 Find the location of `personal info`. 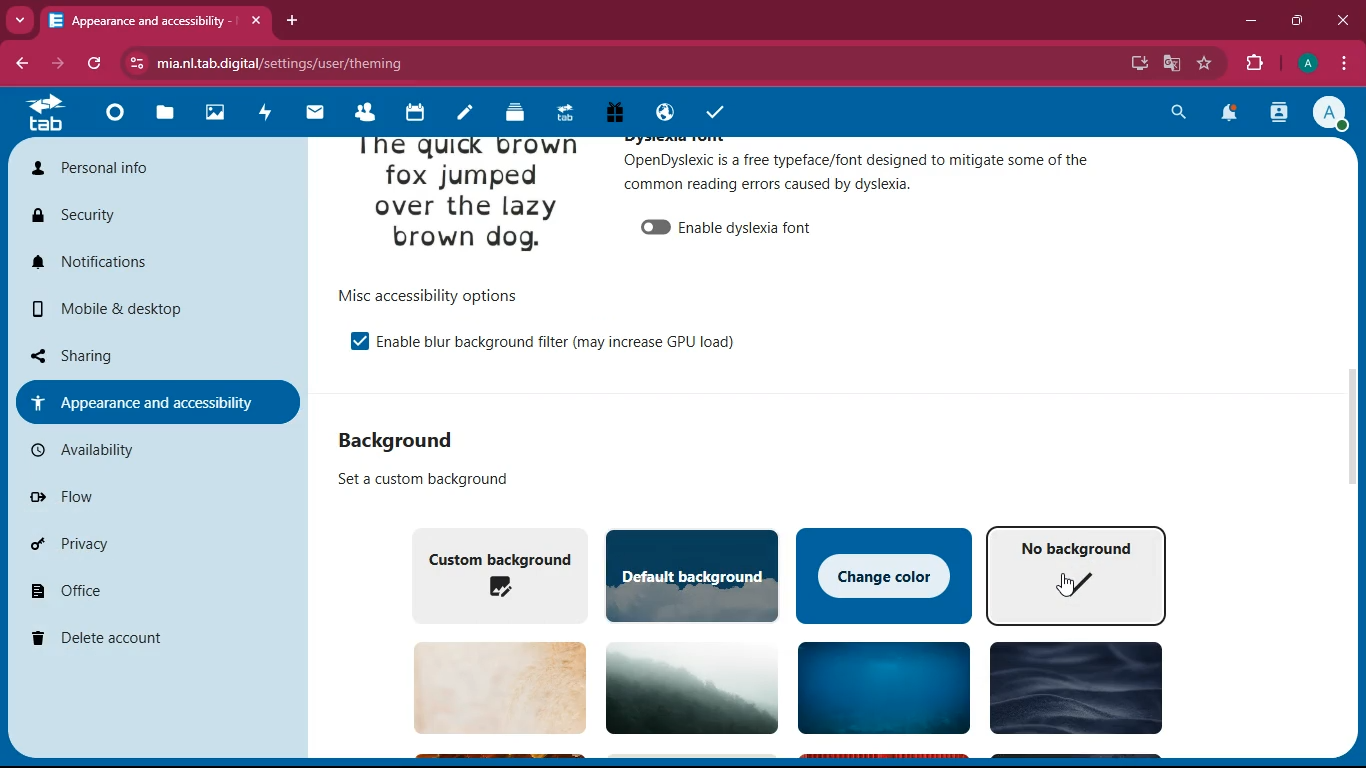

personal info is located at coordinates (153, 173).